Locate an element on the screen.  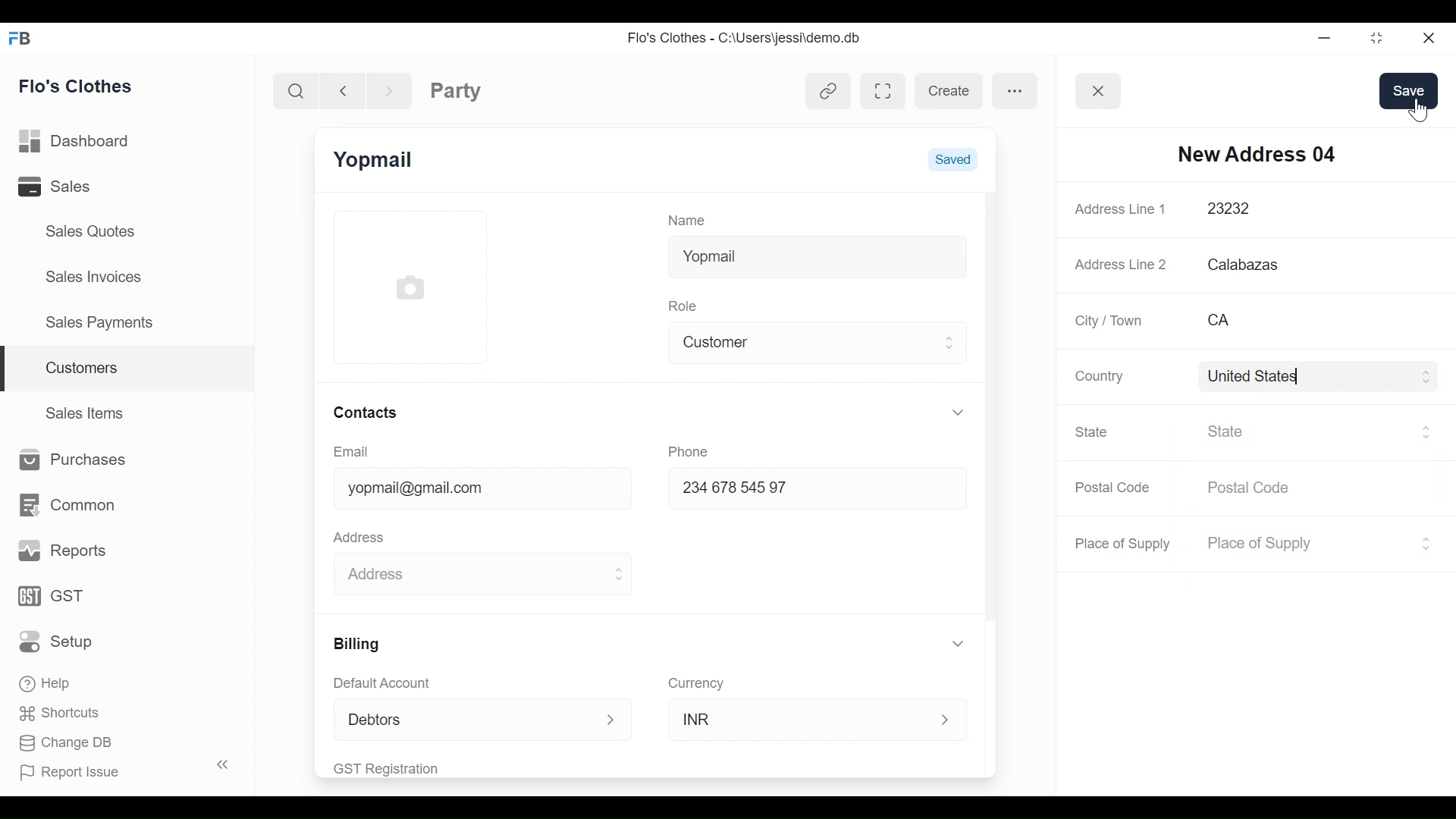
Reports is located at coordinates (64, 551).